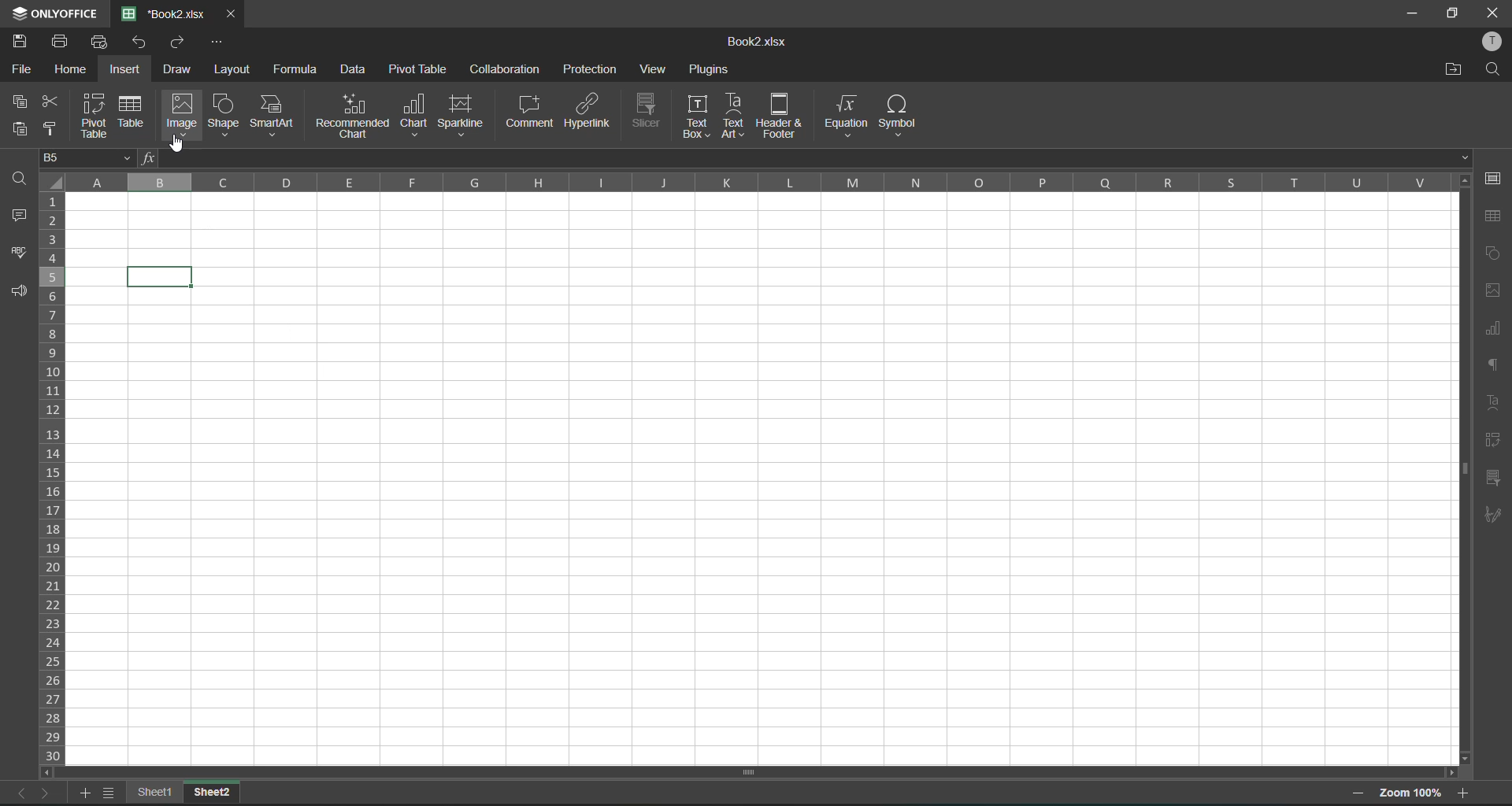 This screenshot has width=1512, height=806. I want to click on collaboration, so click(505, 68).